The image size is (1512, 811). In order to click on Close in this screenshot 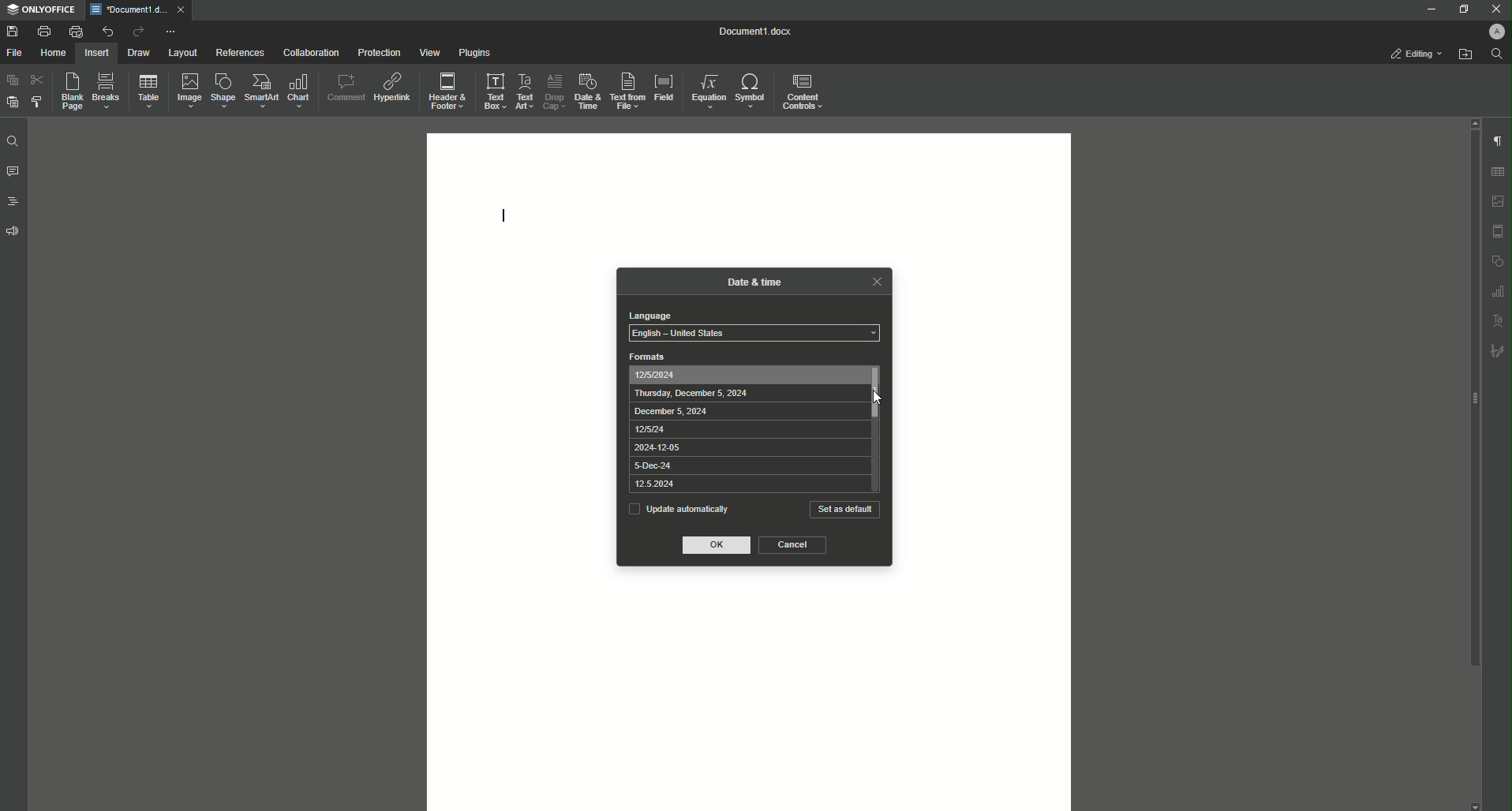, I will do `click(1495, 9)`.